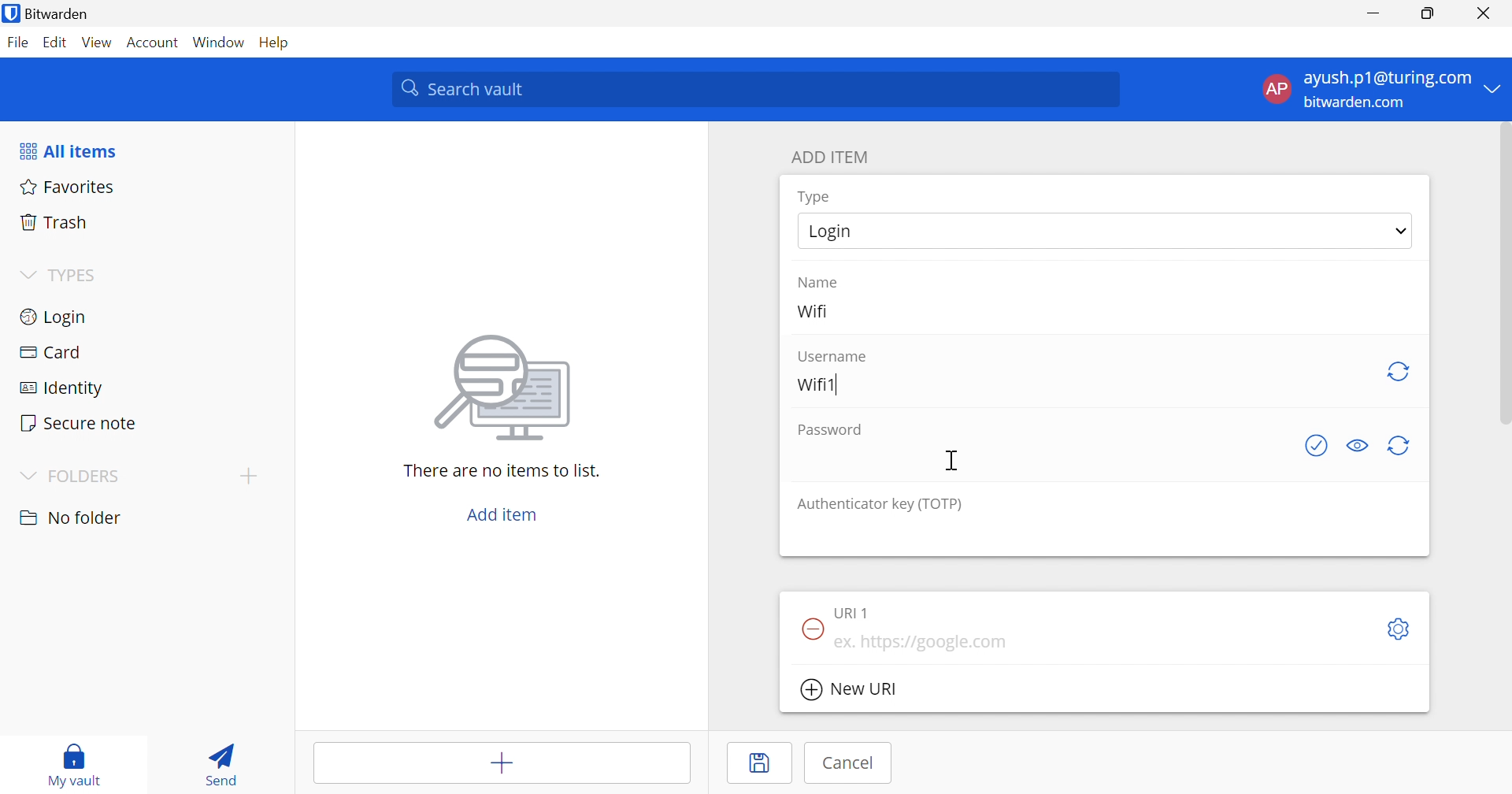 The width and height of the screenshot is (1512, 794). Describe the element at coordinates (851, 692) in the screenshot. I see `New URI` at that location.